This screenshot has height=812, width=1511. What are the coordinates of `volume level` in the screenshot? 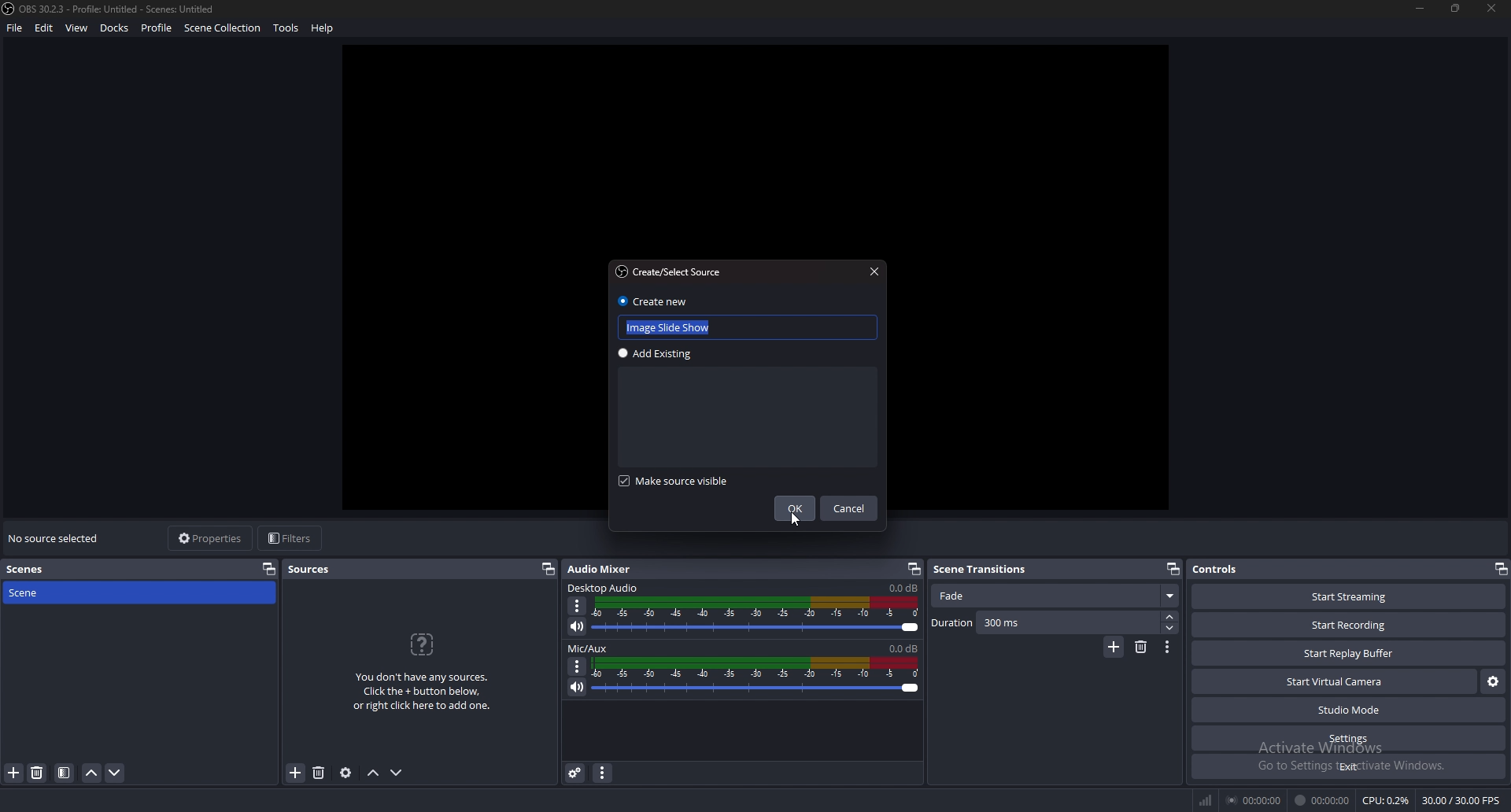 It's located at (903, 588).